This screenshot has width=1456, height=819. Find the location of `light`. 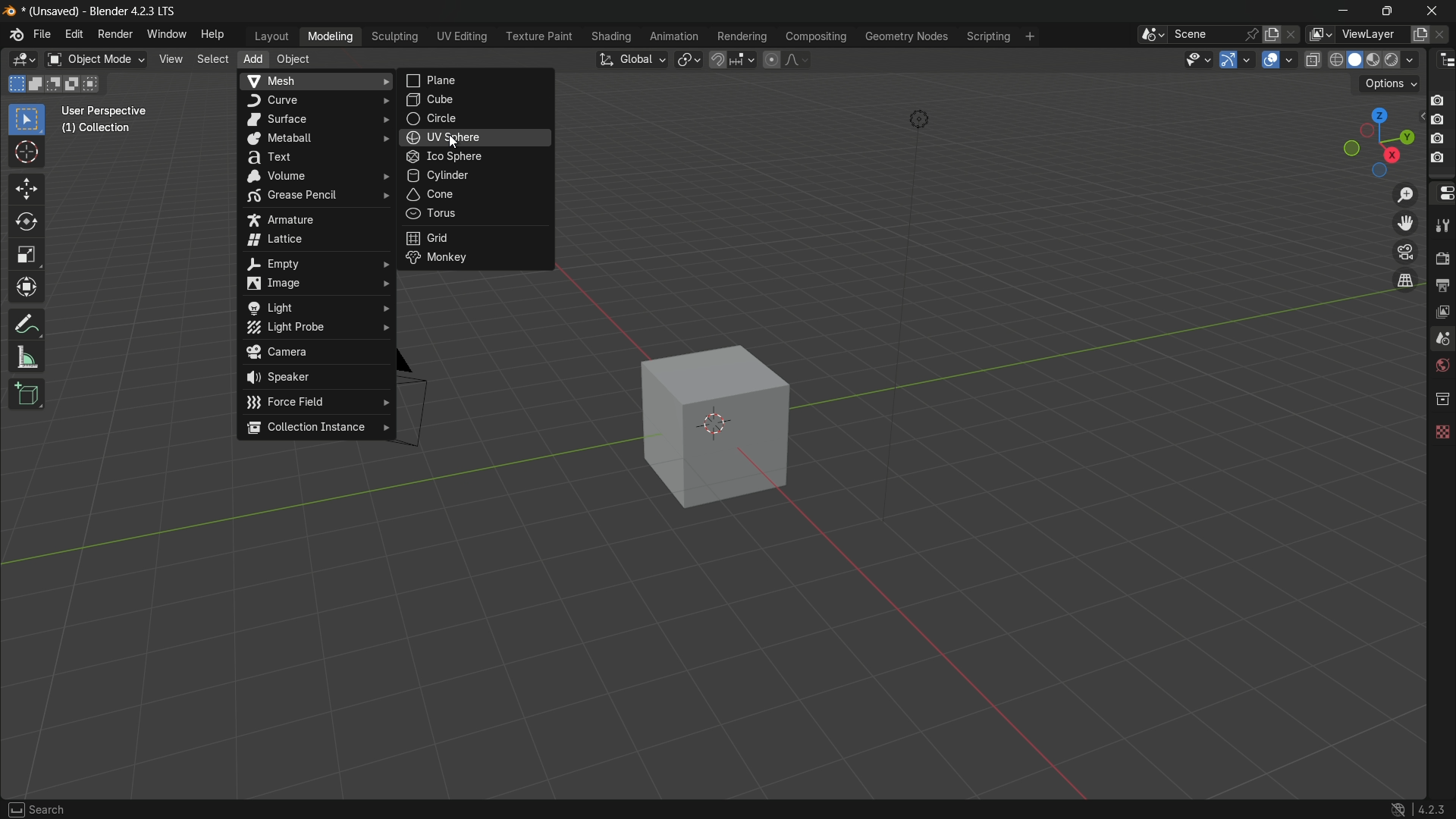

light is located at coordinates (923, 118).